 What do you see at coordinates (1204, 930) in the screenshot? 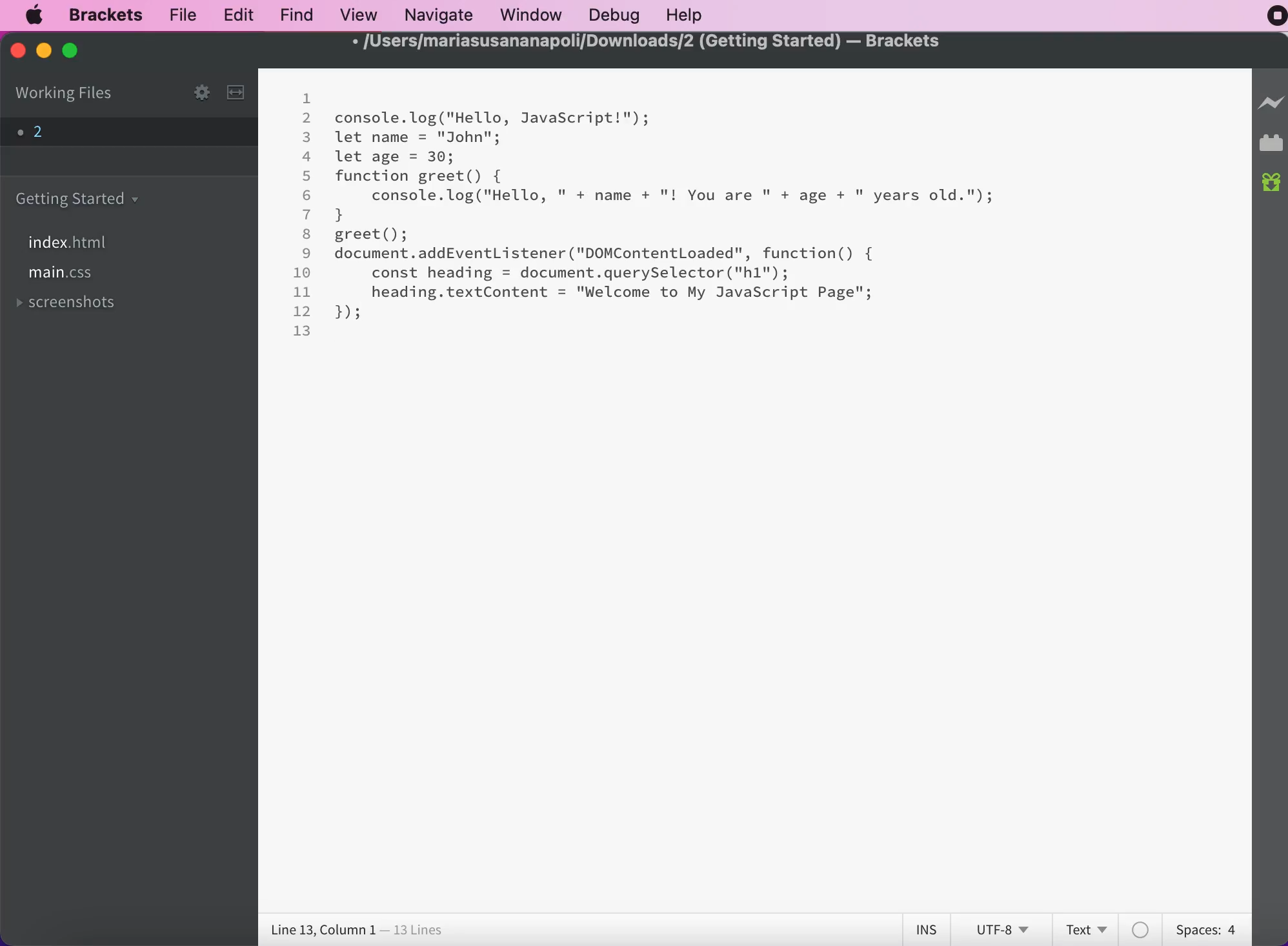
I see `spaces: 4` at bounding box center [1204, 930].